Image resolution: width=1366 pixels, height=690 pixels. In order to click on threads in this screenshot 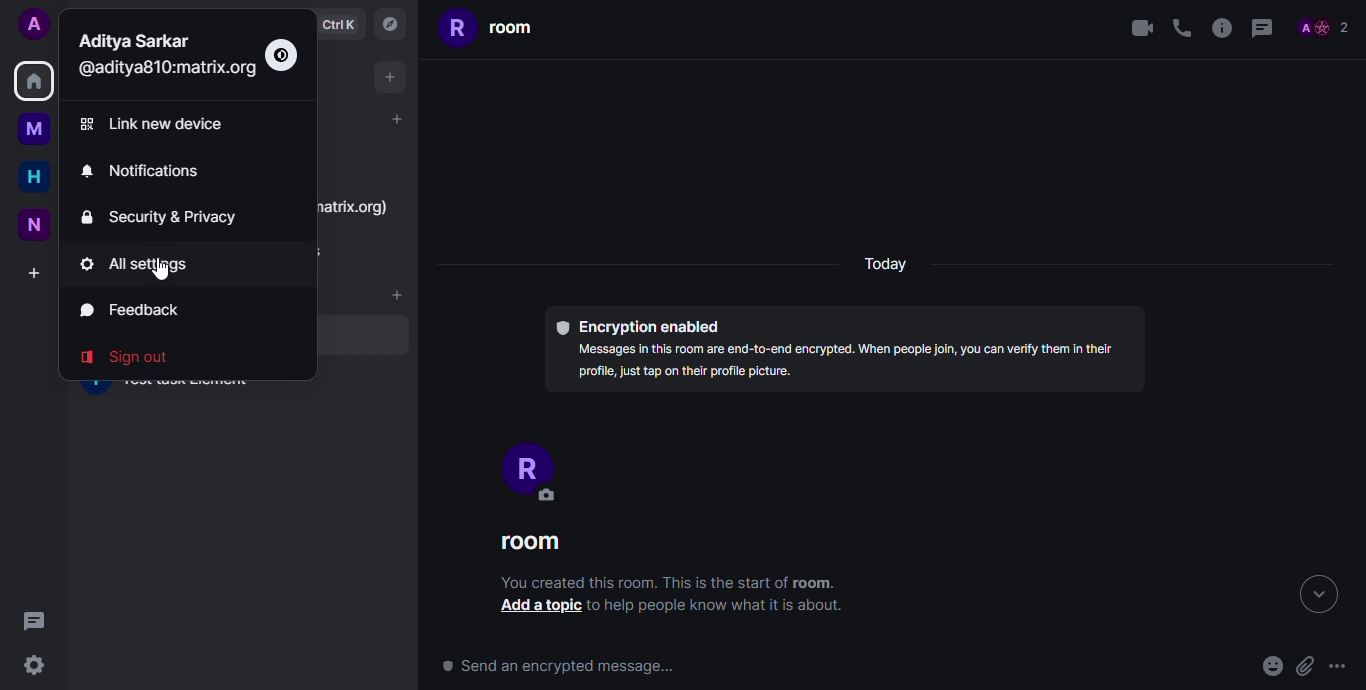, I will do `click(30, 619)`.